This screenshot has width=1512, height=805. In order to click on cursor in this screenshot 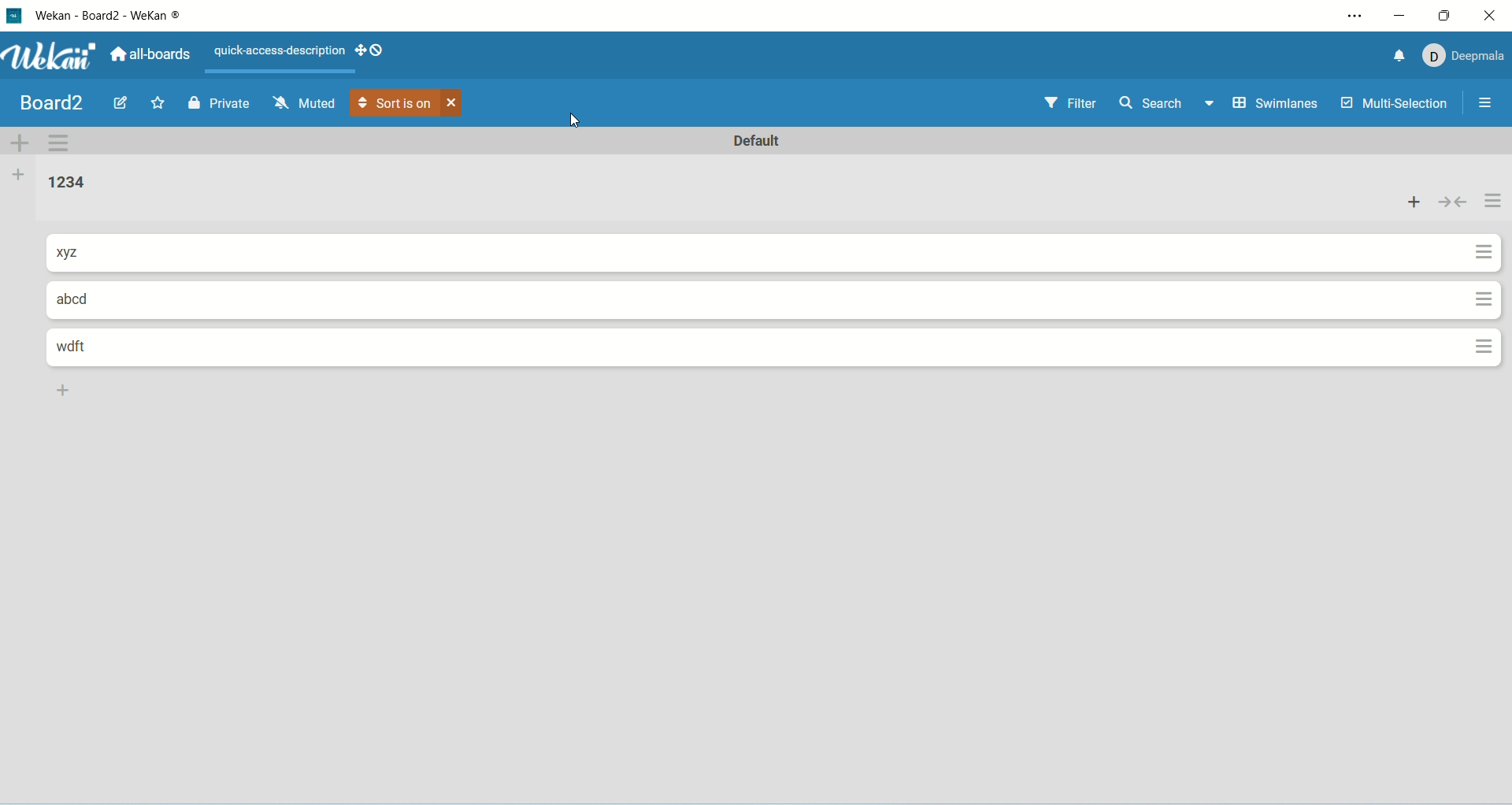, I will do `click(580, 124)`.